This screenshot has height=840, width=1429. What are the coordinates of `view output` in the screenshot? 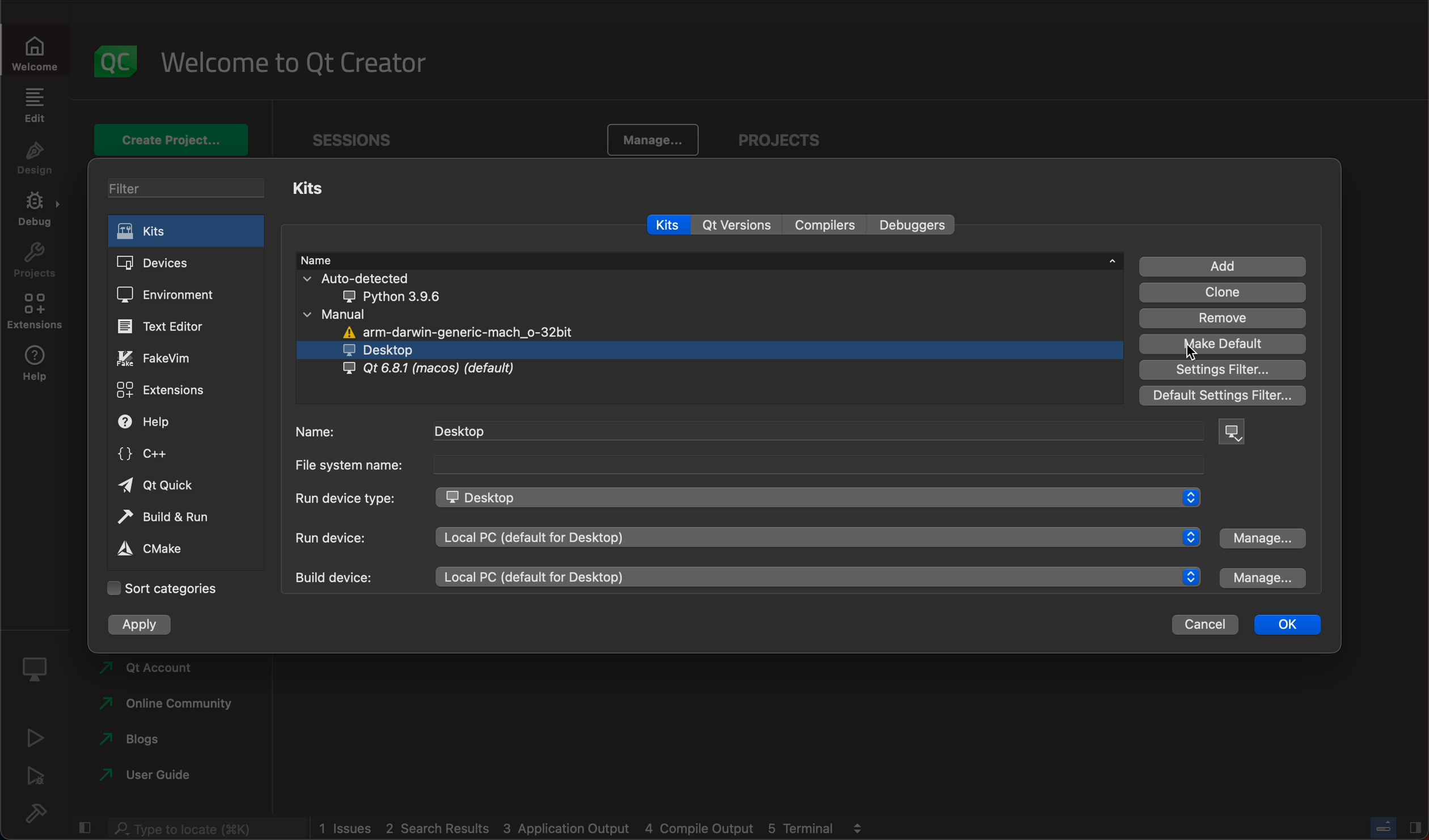 It's located at (859, 825).